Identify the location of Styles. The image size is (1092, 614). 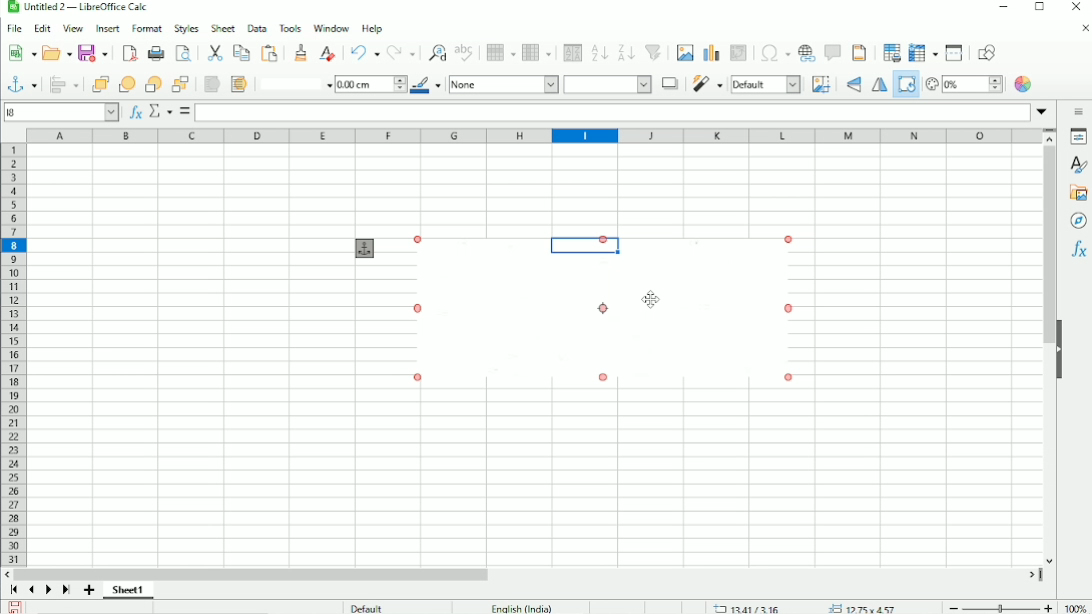
(1078, 165).